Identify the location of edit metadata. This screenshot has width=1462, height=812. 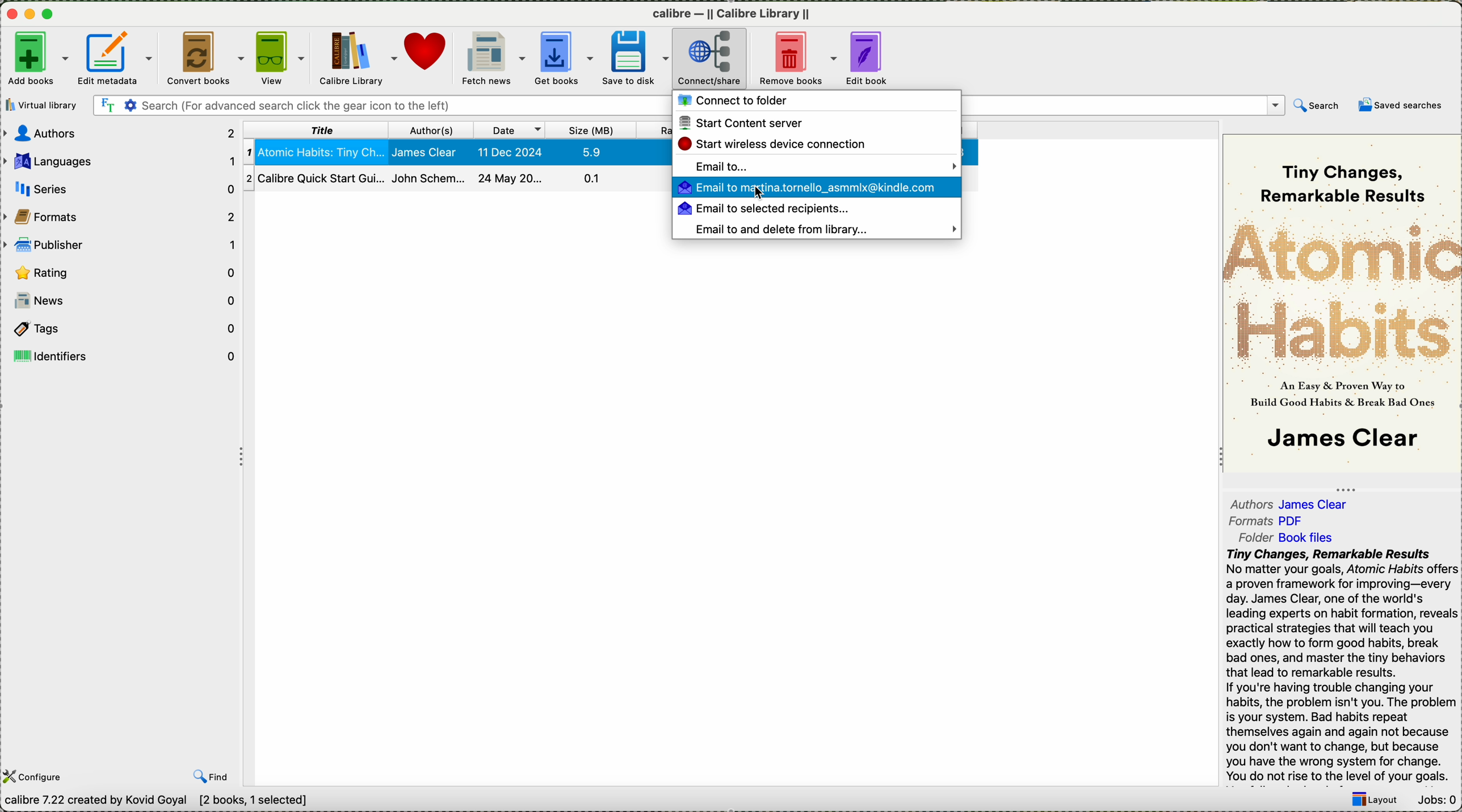
(117, 58).